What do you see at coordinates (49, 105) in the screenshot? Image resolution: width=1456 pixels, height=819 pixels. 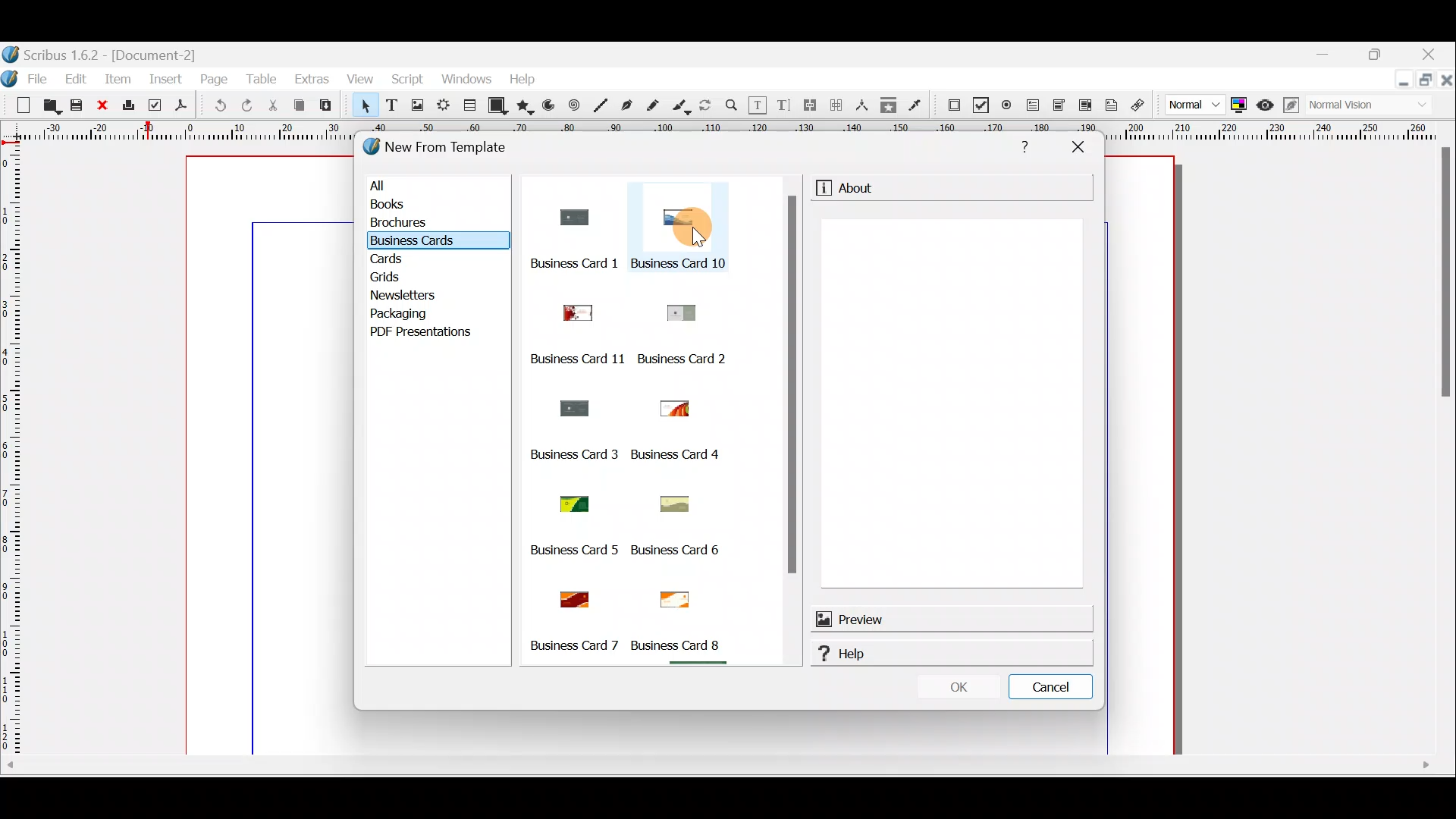 I see `Open` at bounding box center [49, 105].